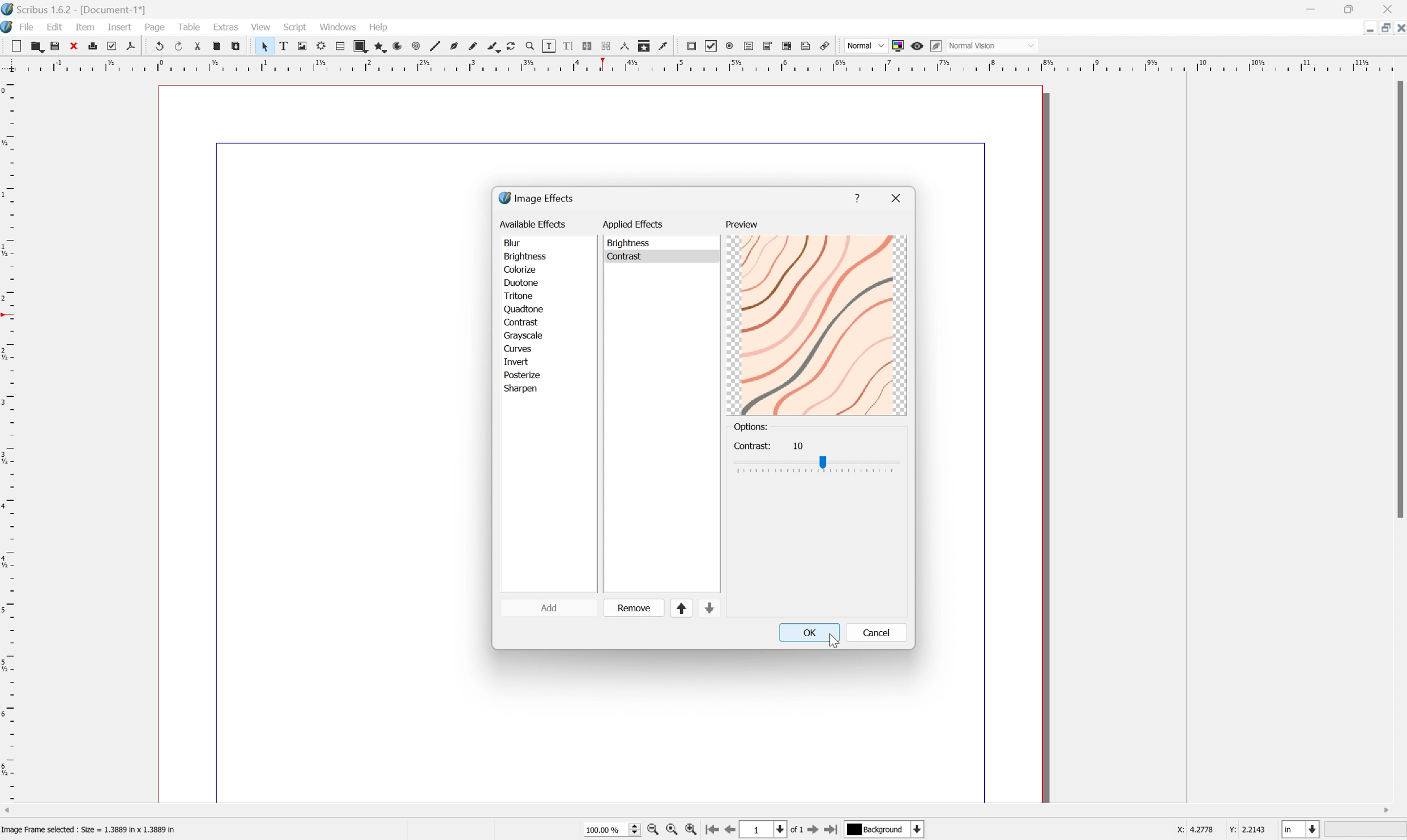 This screenshot has height=840, width=1407. I want to click on Spiral, so click(419, 45).